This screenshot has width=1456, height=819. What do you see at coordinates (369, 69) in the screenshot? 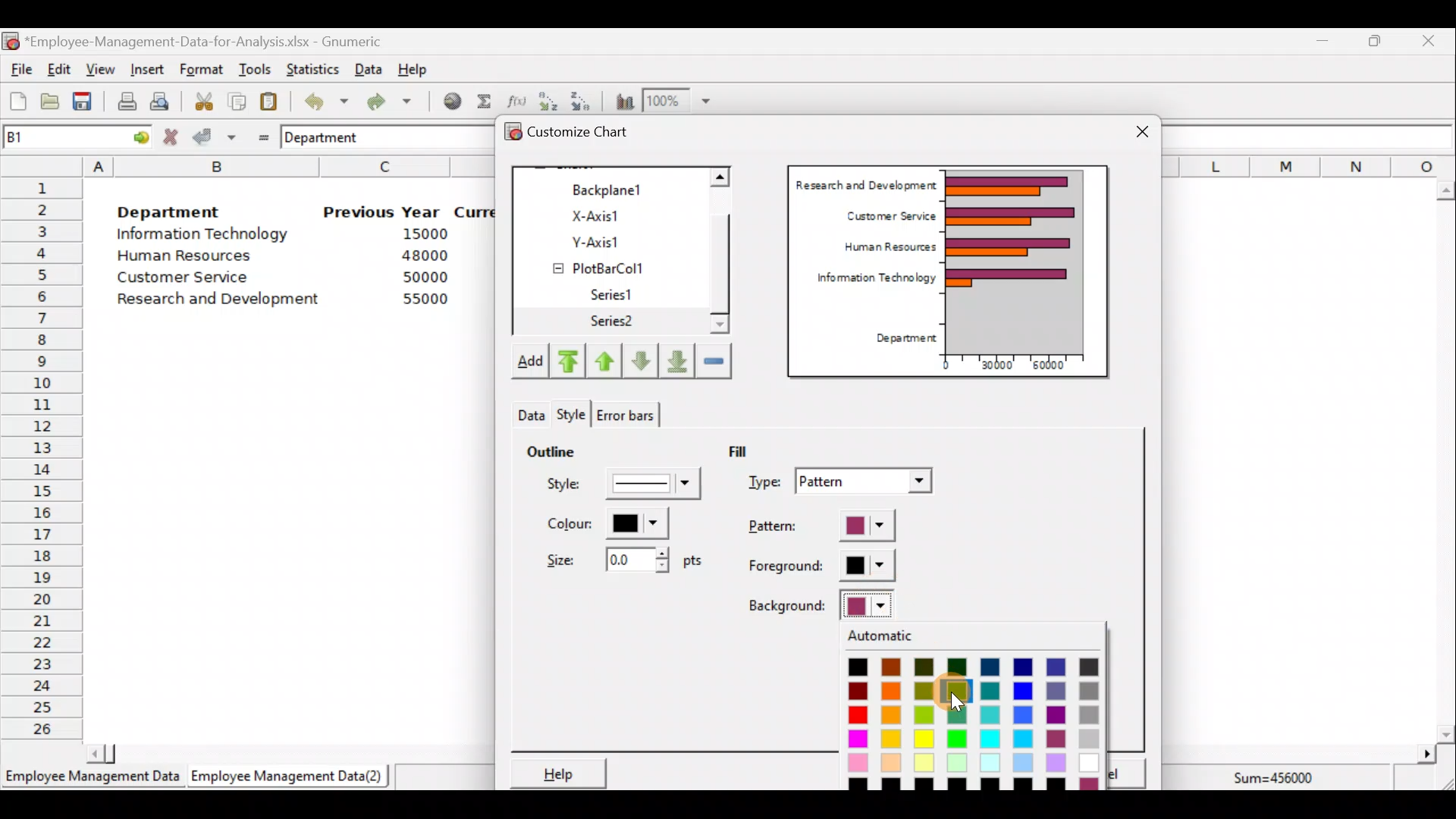
I see `Data` at bounding box center [369, 69].